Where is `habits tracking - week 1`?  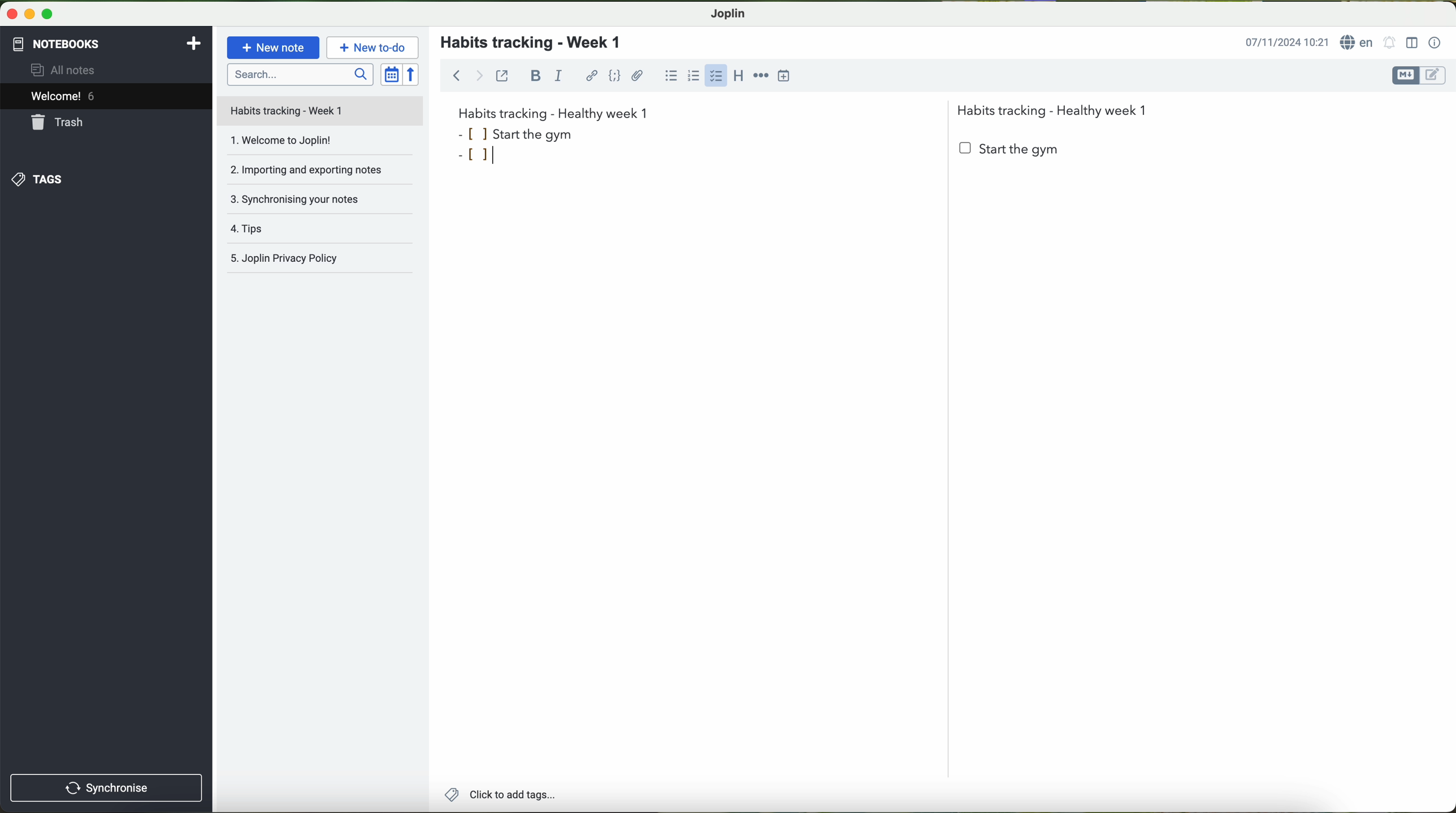
habits tracking - week 1 is located at coordinates (538, 43).